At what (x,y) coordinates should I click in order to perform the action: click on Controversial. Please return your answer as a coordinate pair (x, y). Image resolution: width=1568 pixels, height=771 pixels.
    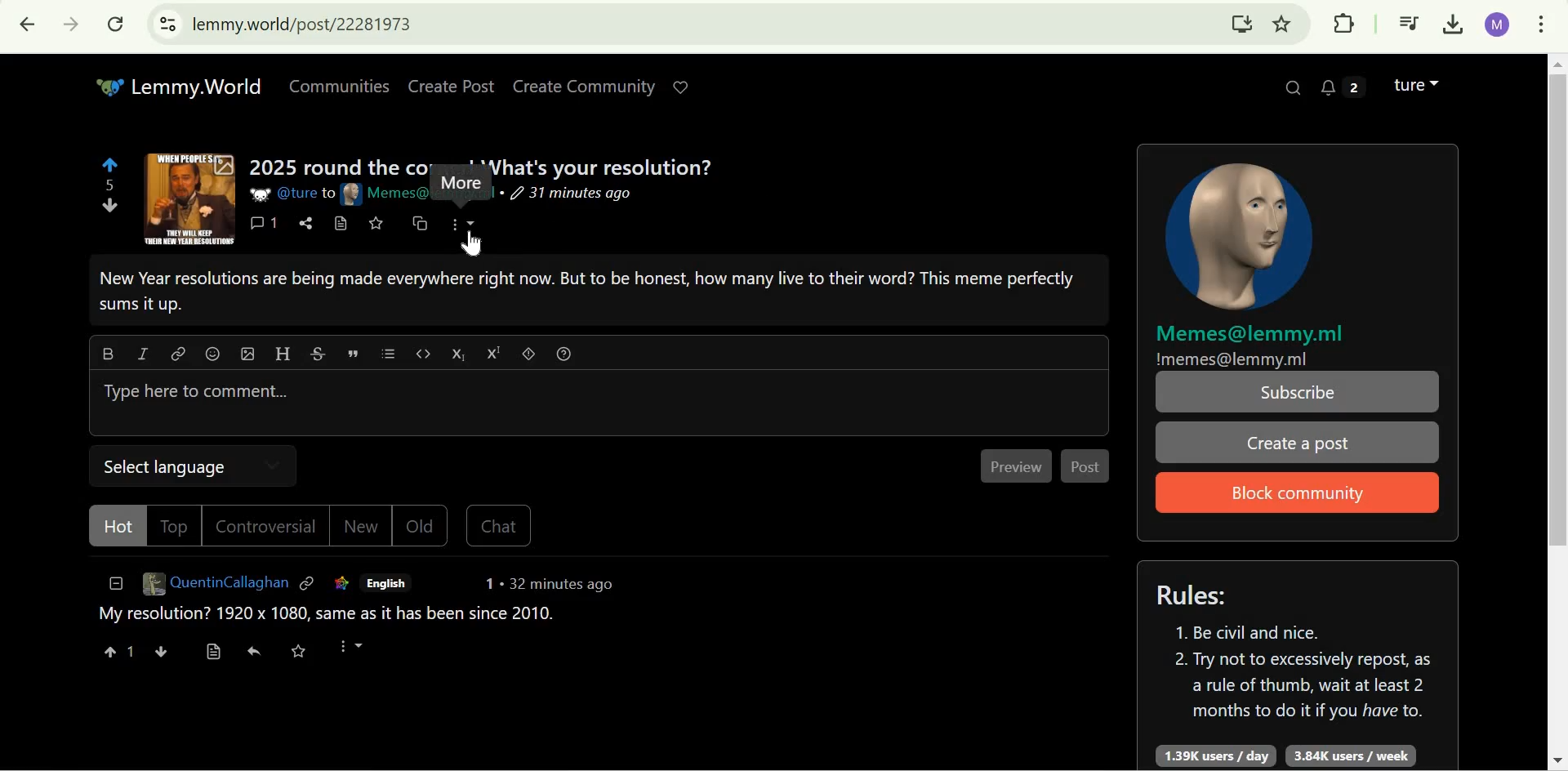
    Looking at the image, I should click on (272, 525).